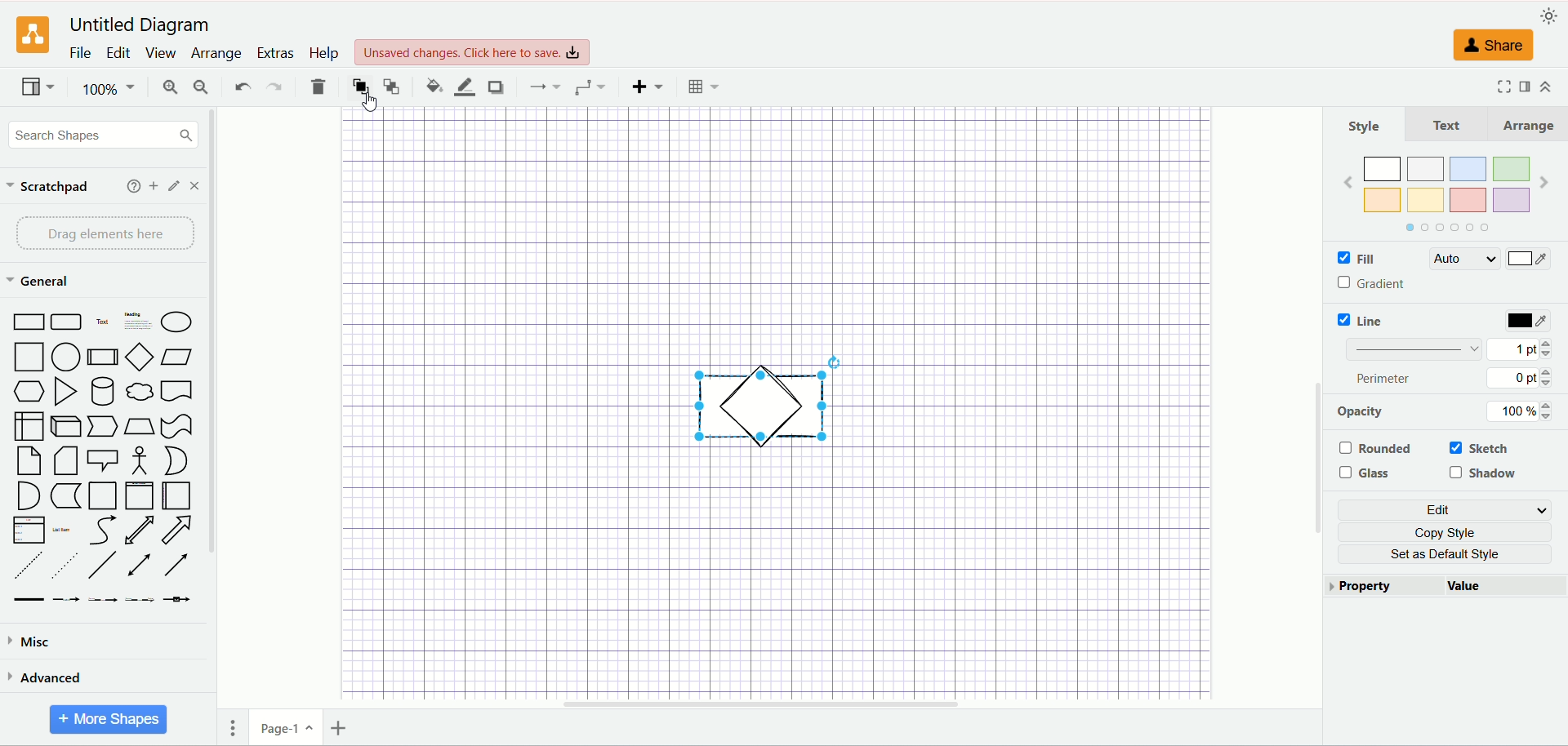  What do you see at coordinates (198, 88) in the screenshot?
I see `zoom out` at bounding box center [198, 88].